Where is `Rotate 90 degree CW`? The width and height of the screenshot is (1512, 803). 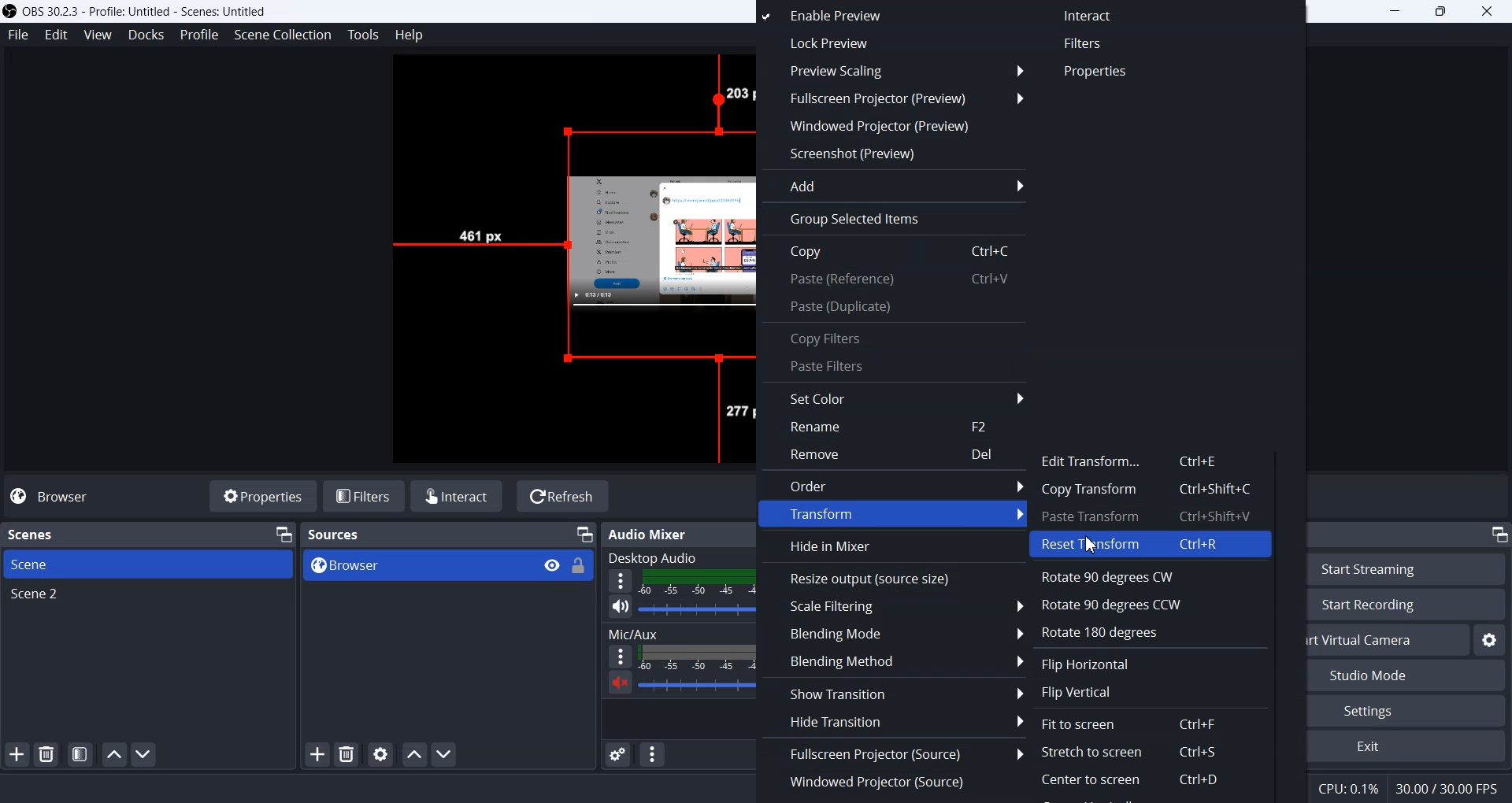
Rotate 90 degree CW is located at coordinates (1149, 576).